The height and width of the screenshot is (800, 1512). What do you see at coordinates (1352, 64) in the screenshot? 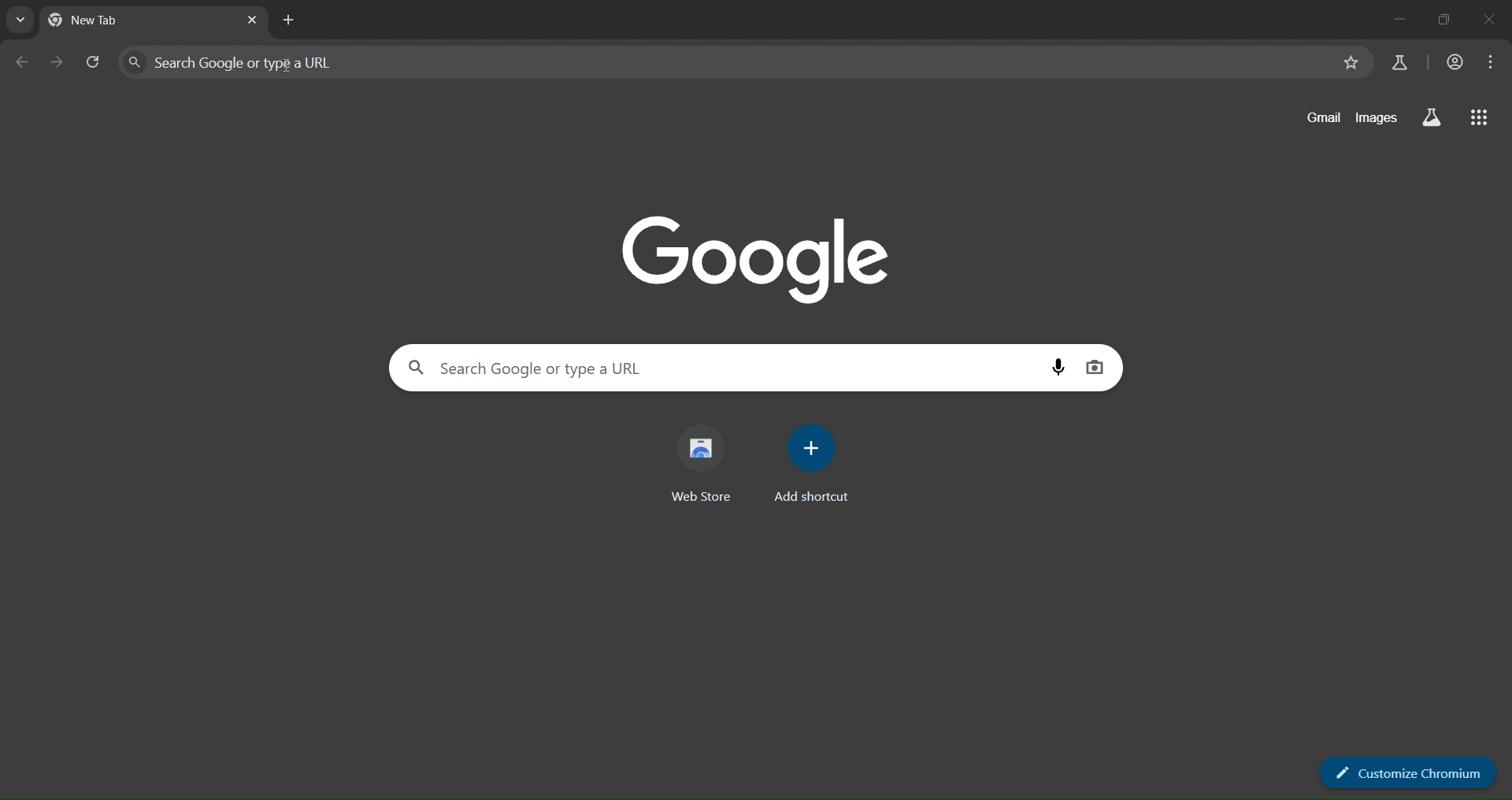
I see `bookmark page` at bounding box center [1352, 64].